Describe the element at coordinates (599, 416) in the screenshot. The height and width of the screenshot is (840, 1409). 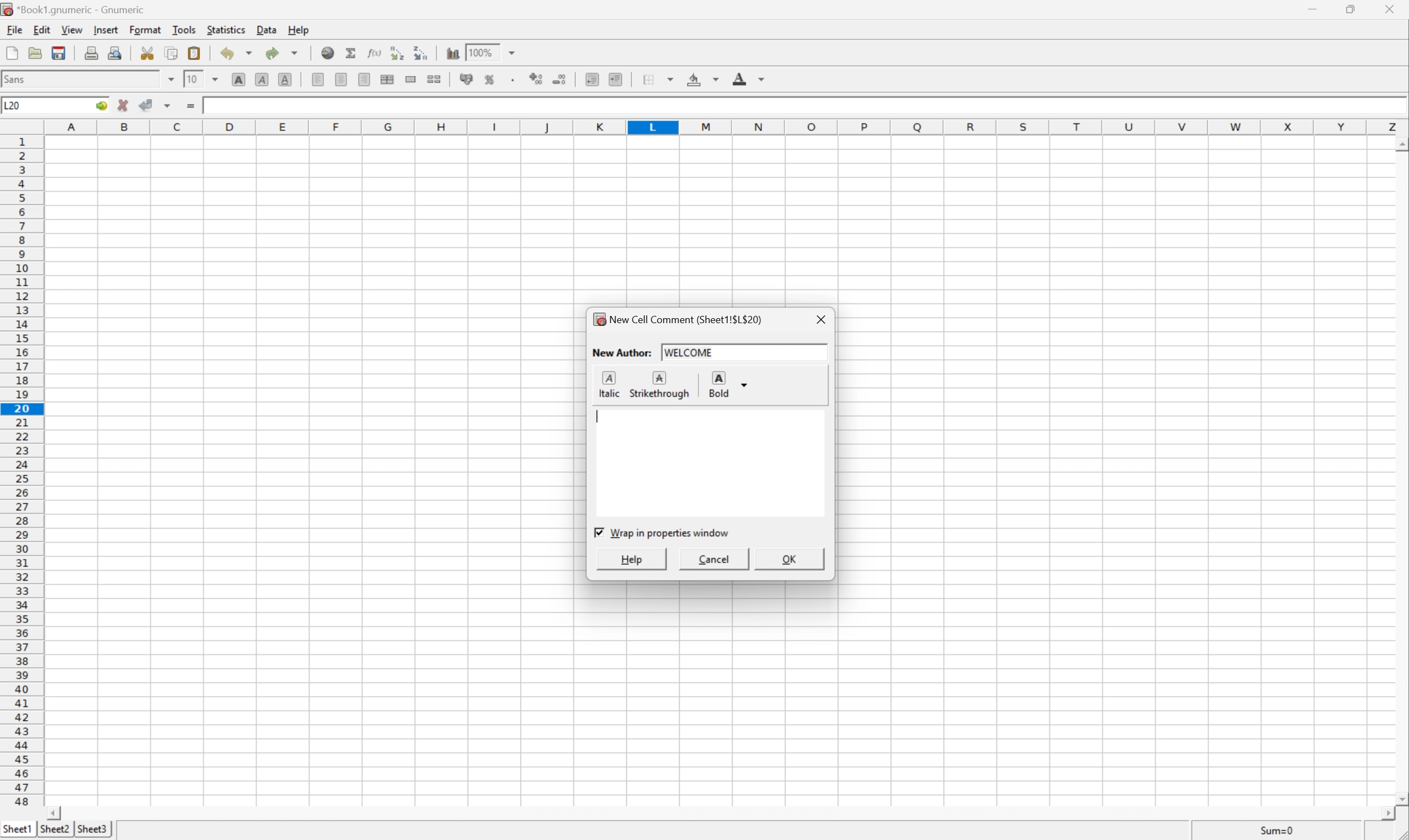
I see `Typing Cursor` at that location.